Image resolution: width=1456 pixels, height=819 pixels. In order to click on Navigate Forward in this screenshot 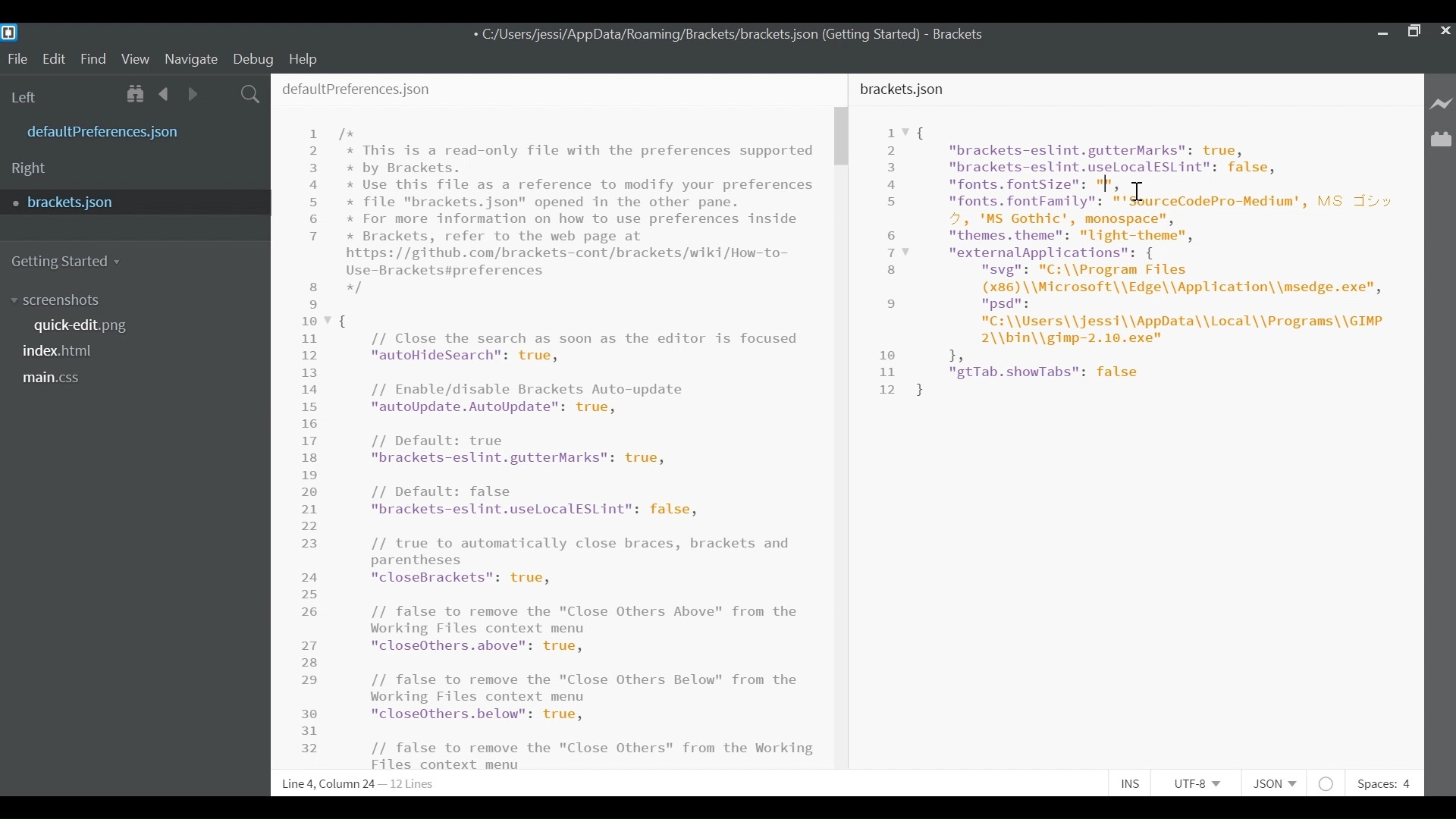, I will do `click(193, 94)`.